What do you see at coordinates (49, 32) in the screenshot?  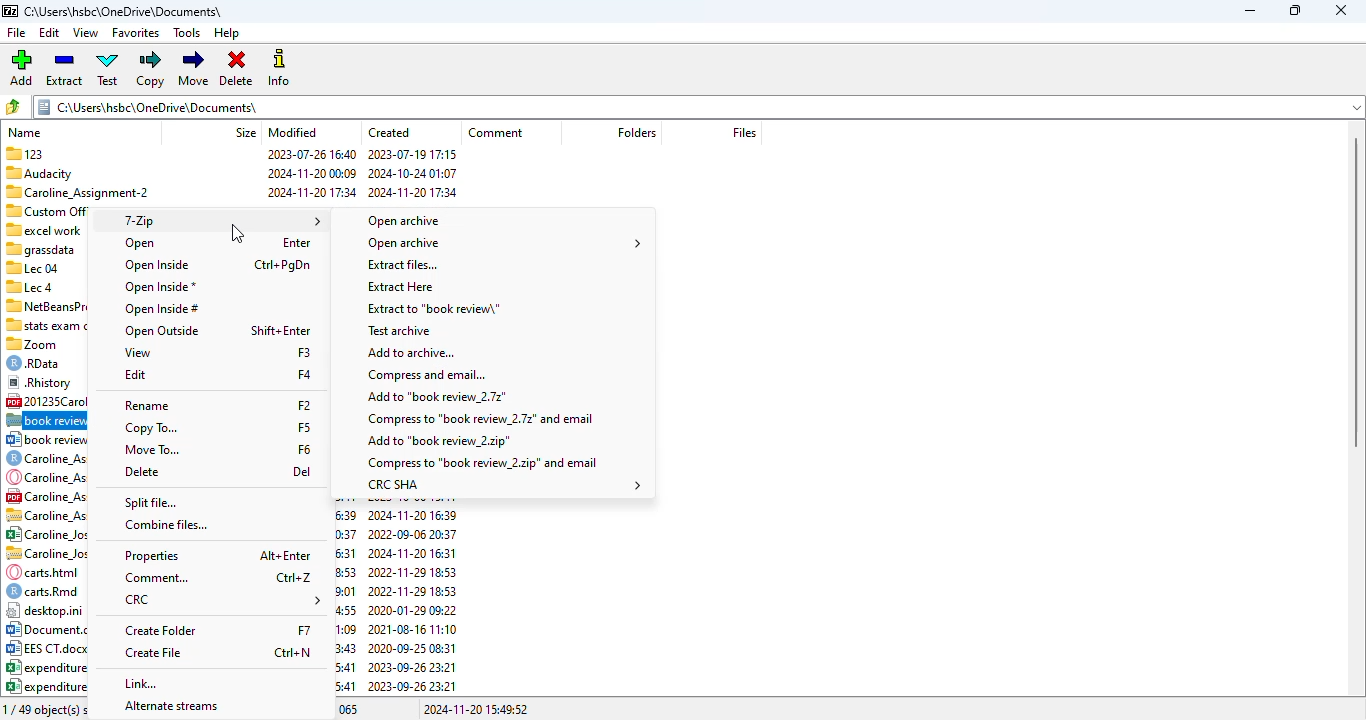 I see `edit` at bounding box center [49, 32].